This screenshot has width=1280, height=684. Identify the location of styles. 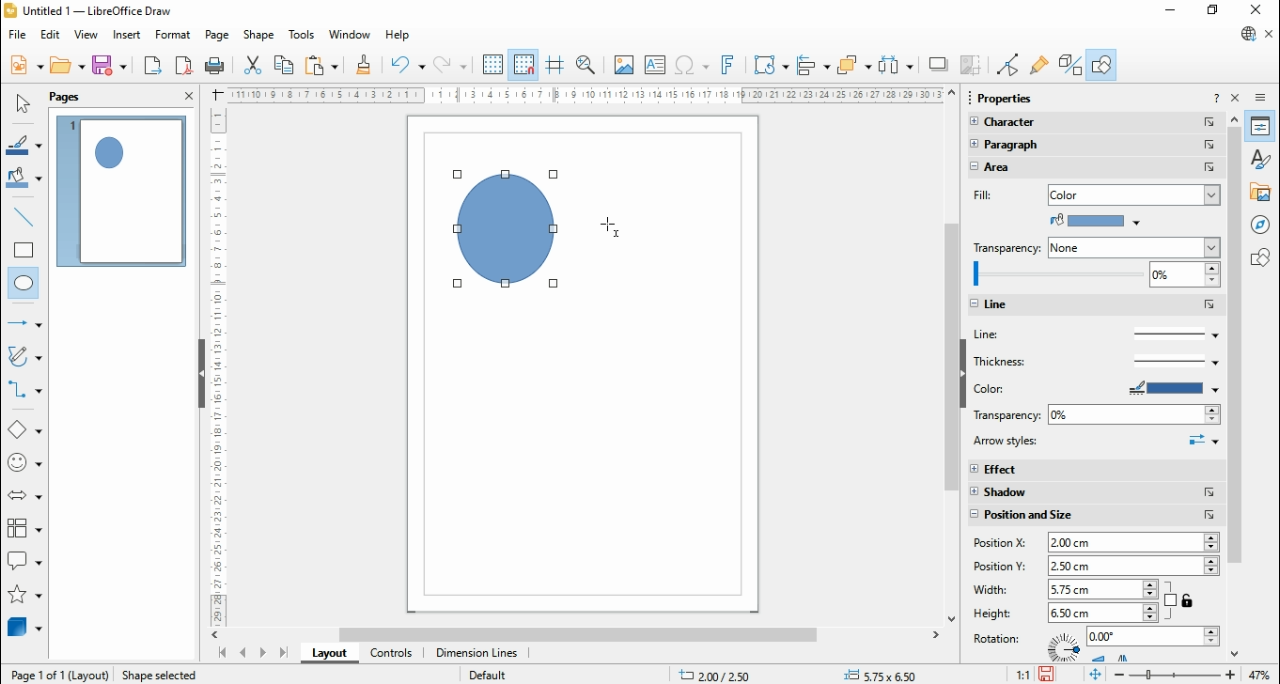
(1262, 157).